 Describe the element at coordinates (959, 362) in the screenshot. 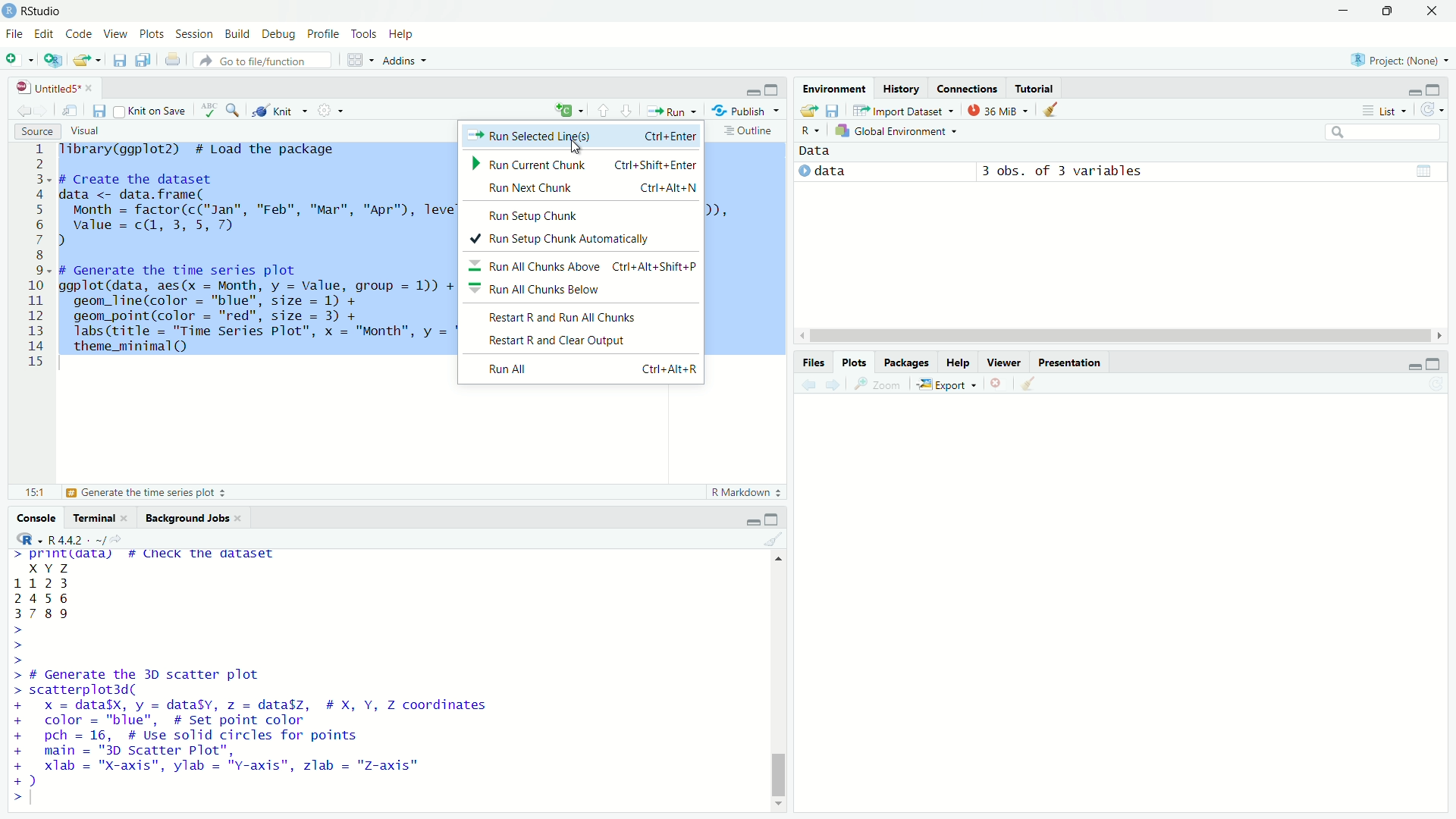

I see `help` at that location.